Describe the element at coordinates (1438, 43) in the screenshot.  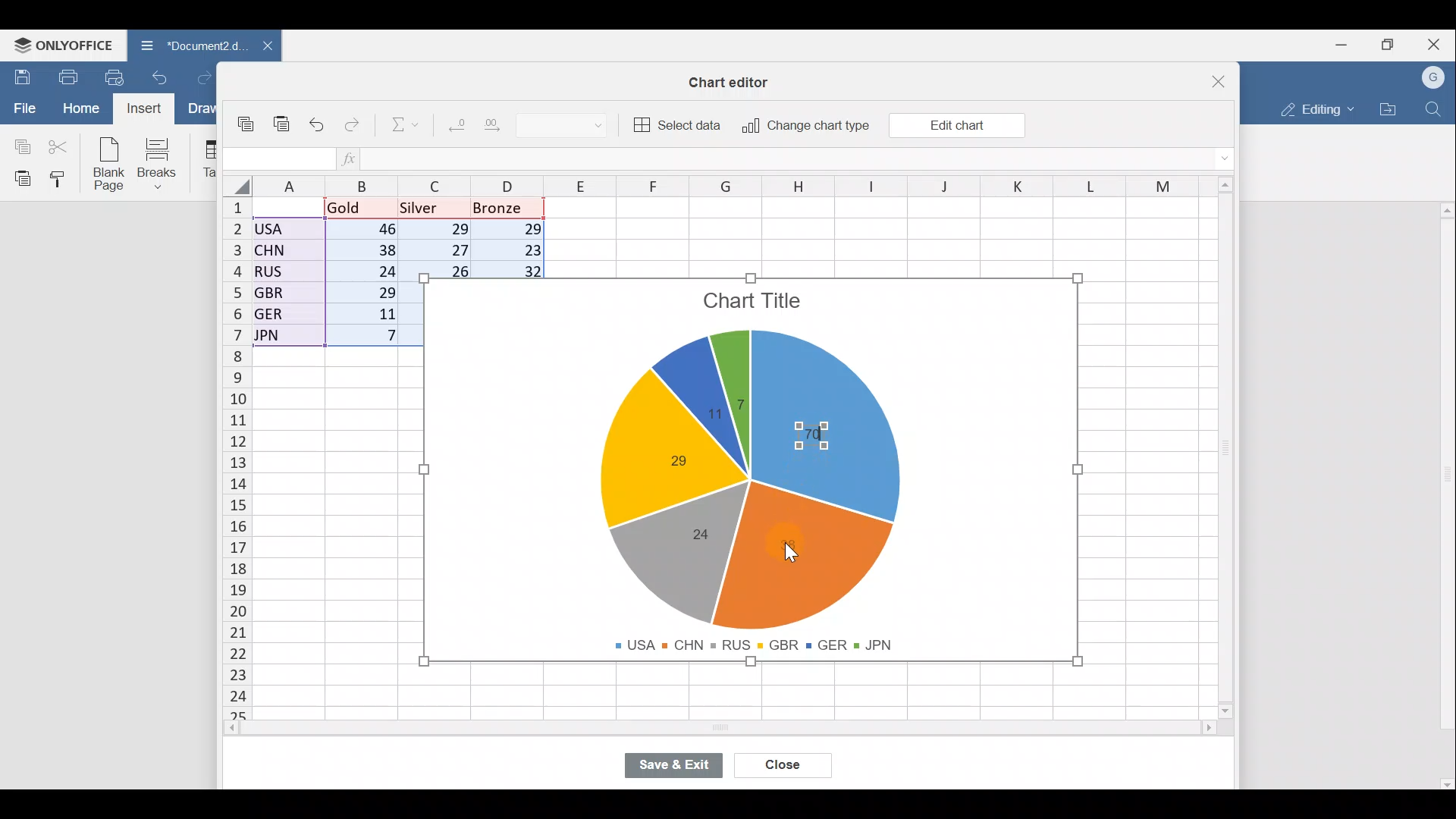
I see `Close` at that location.